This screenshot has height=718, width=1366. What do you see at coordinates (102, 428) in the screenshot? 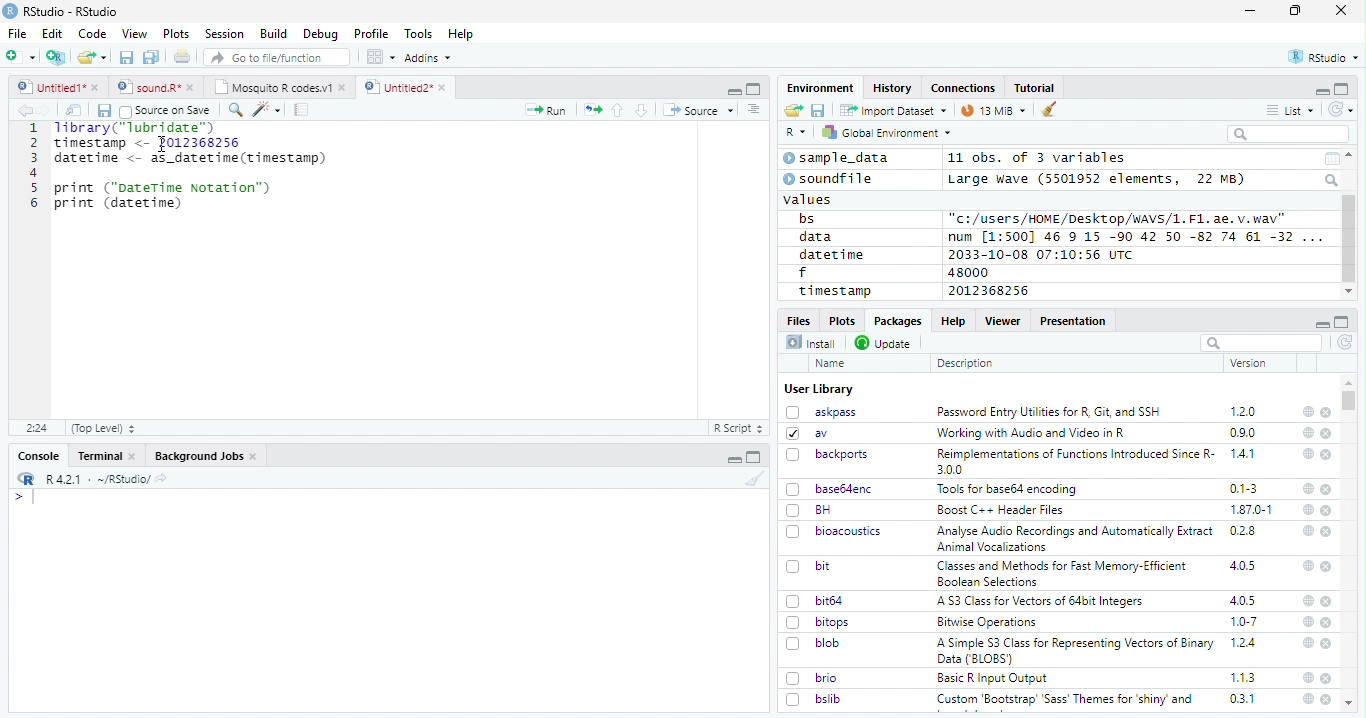
I see `(Top Level)` at bounding box center [102, 428].